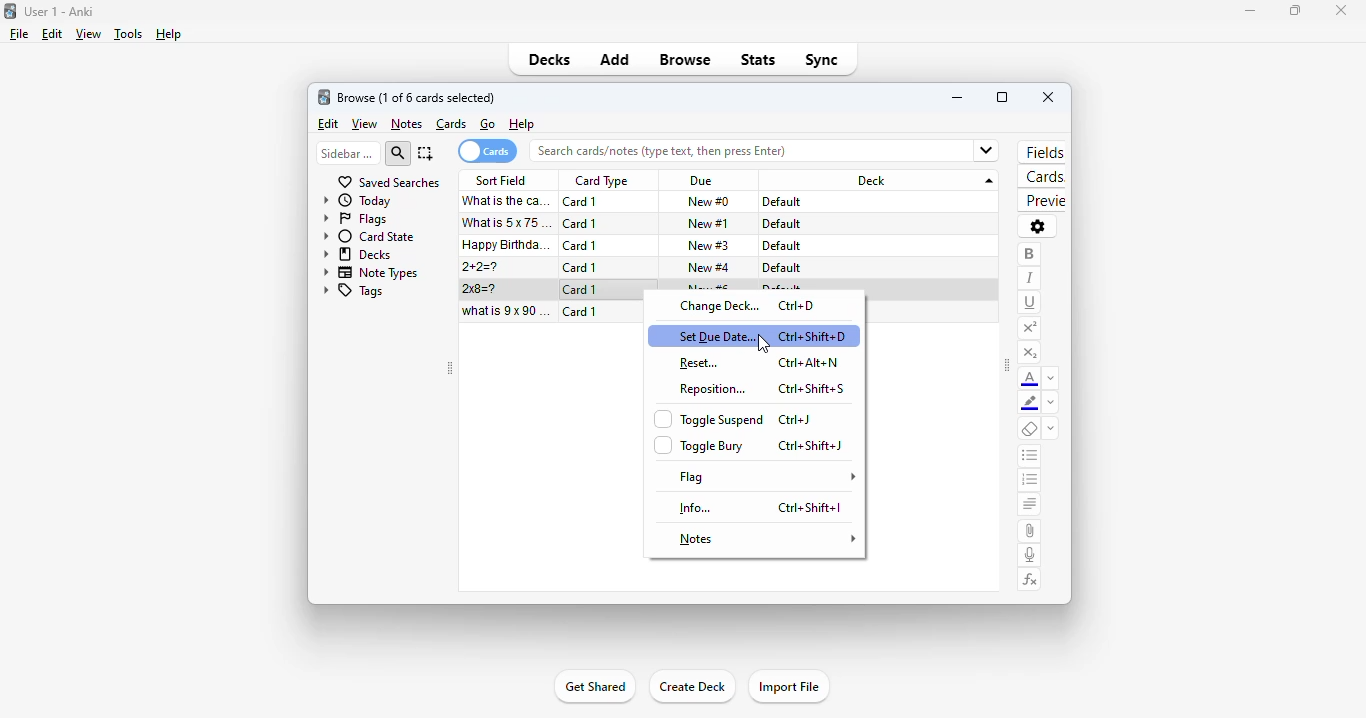  I want to click on go, so click(488, 124).